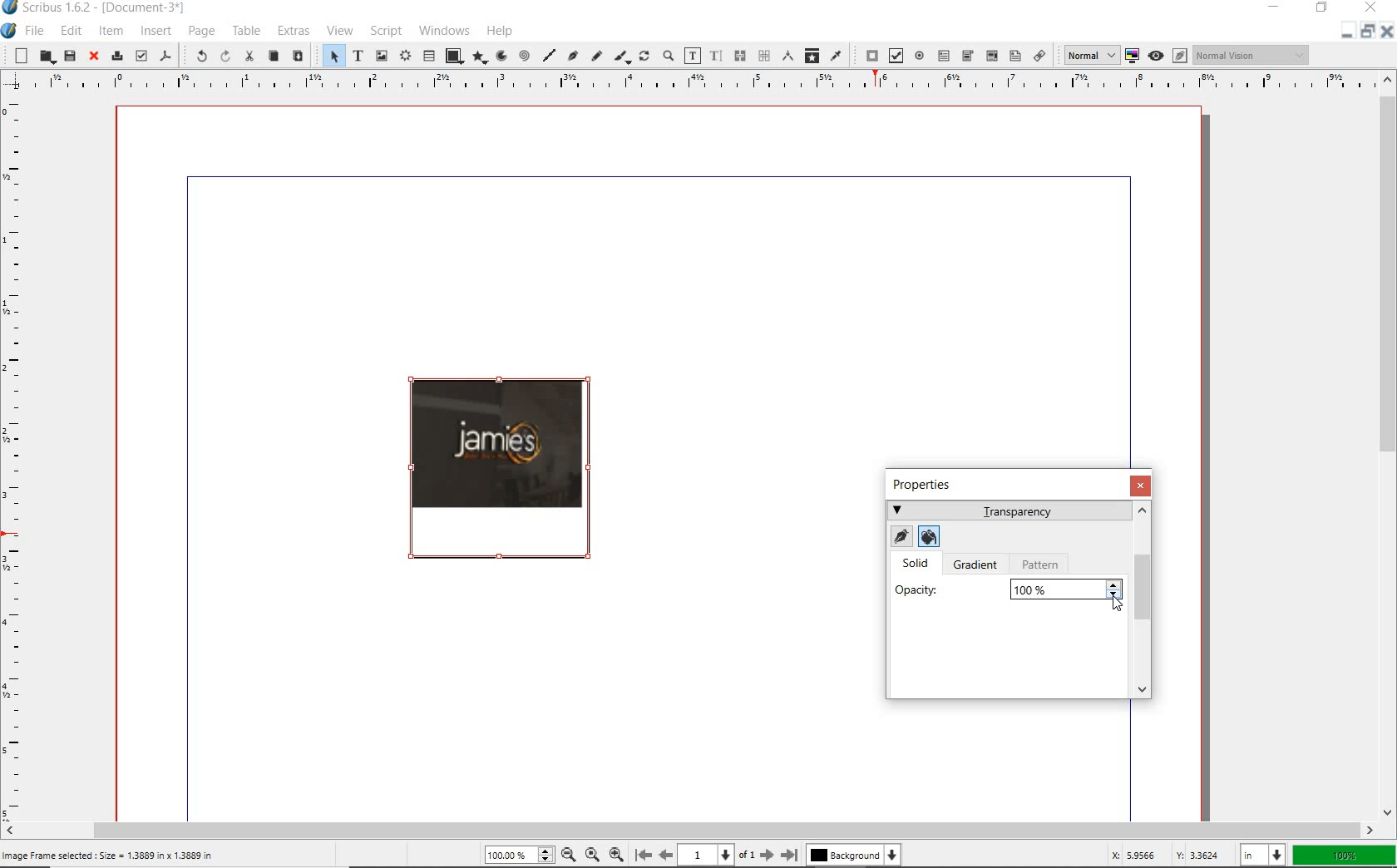 Image resolution: width=1397 pixels, height=868 pixels. What do you see at coordinates (1041, 57) in the screenshot?
I see `link annotation` at bounding box center [1041, 57].